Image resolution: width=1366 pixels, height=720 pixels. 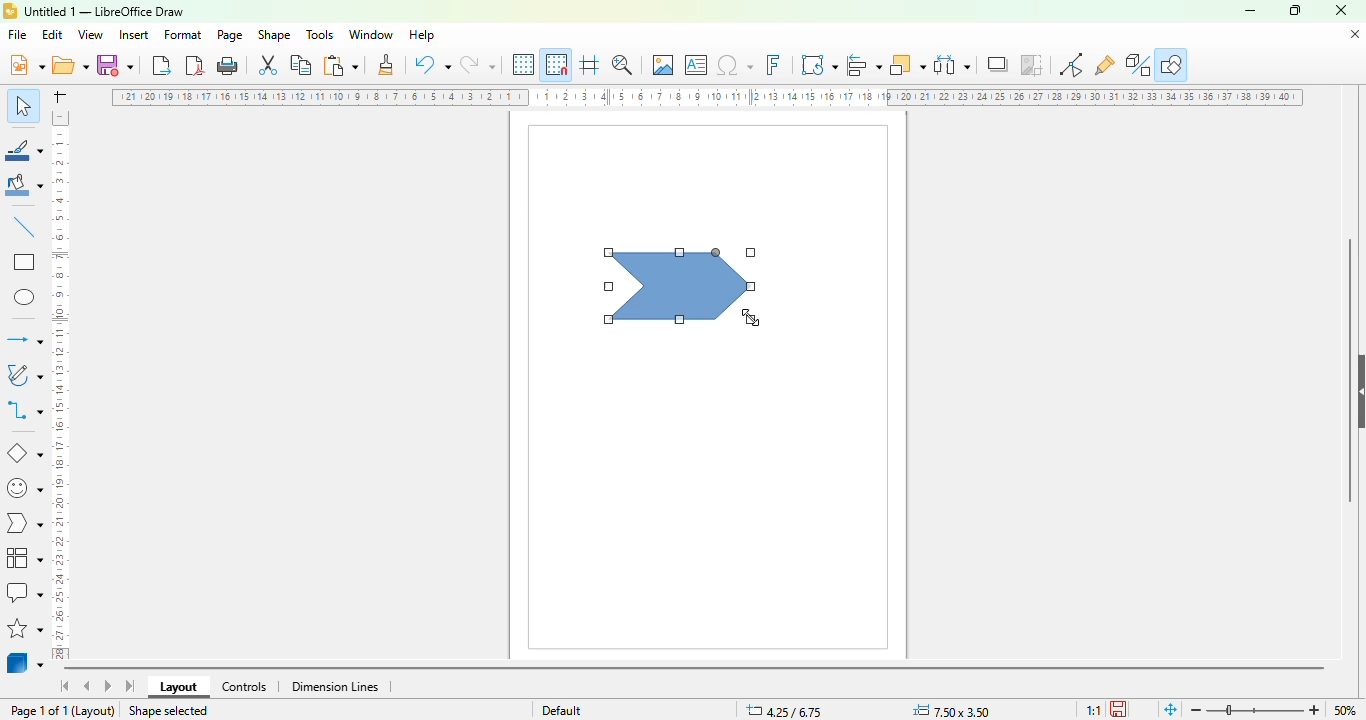 I want to click on scroll to next sheet, so click(x=108, y=685).